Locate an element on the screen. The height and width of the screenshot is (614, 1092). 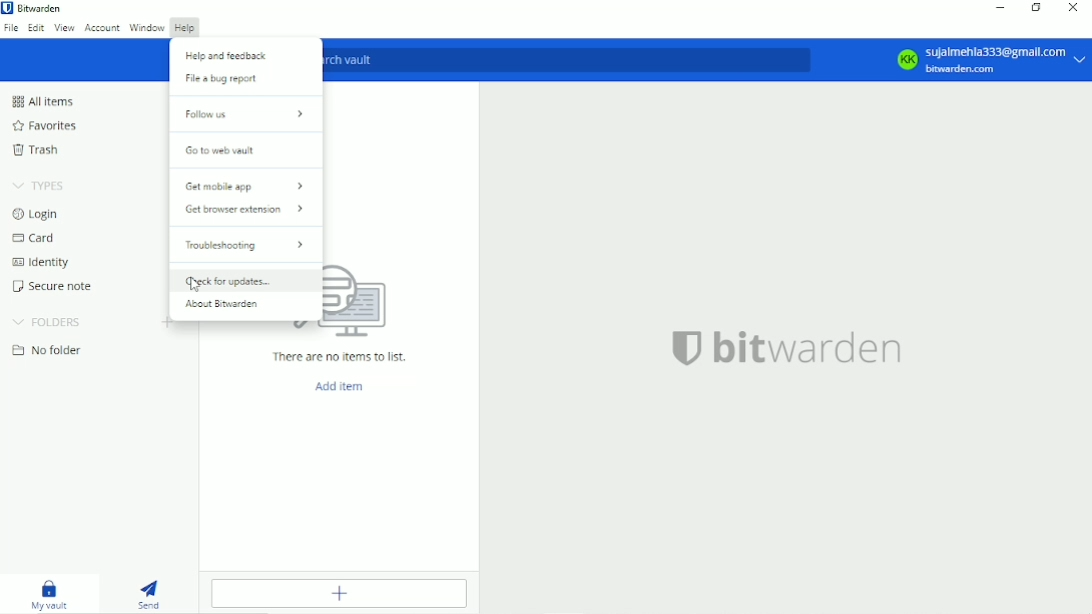
KK is located at coordinates (906, 60).